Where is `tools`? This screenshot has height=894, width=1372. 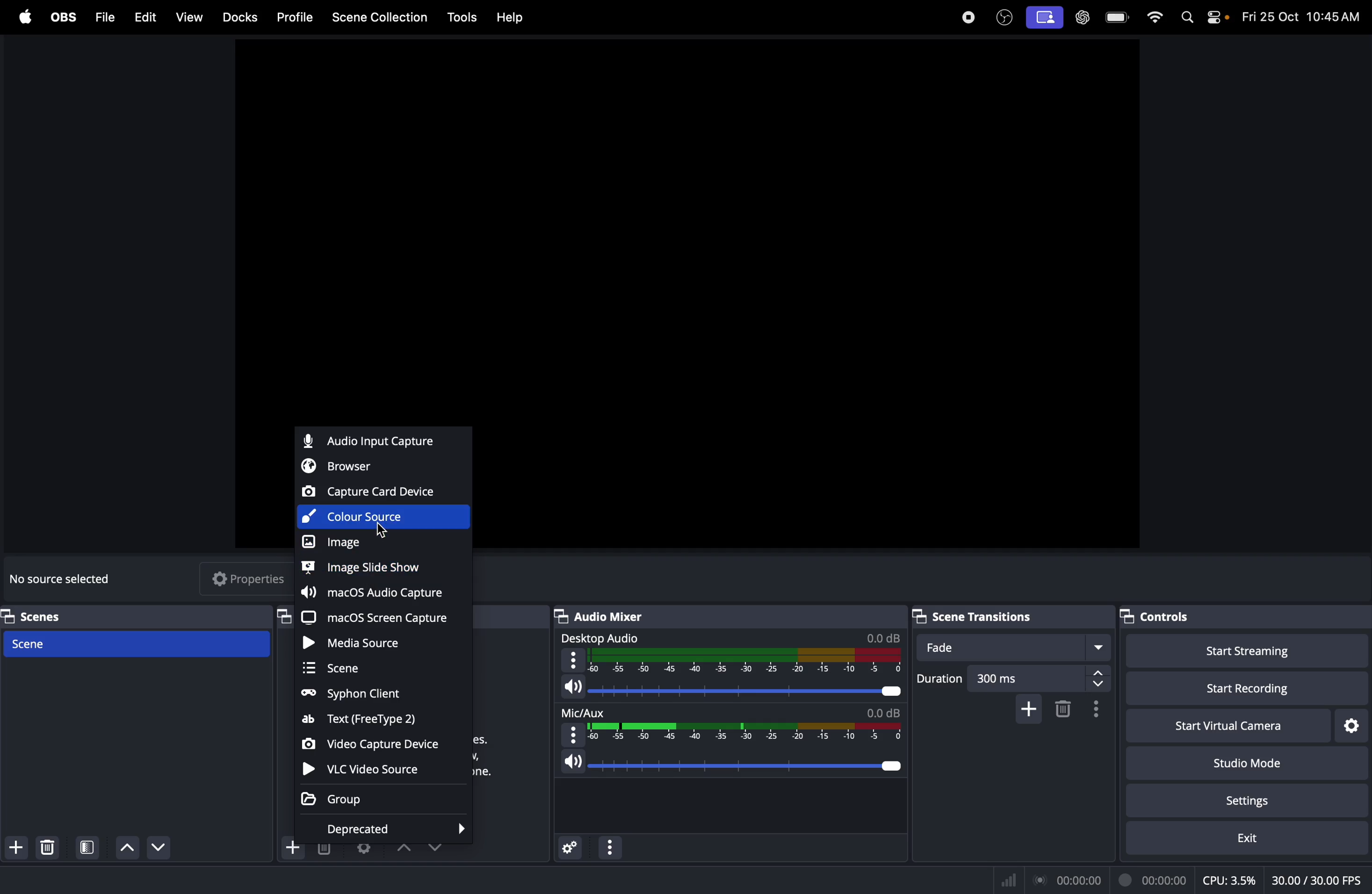 tools is located at coordinates (462, 17).